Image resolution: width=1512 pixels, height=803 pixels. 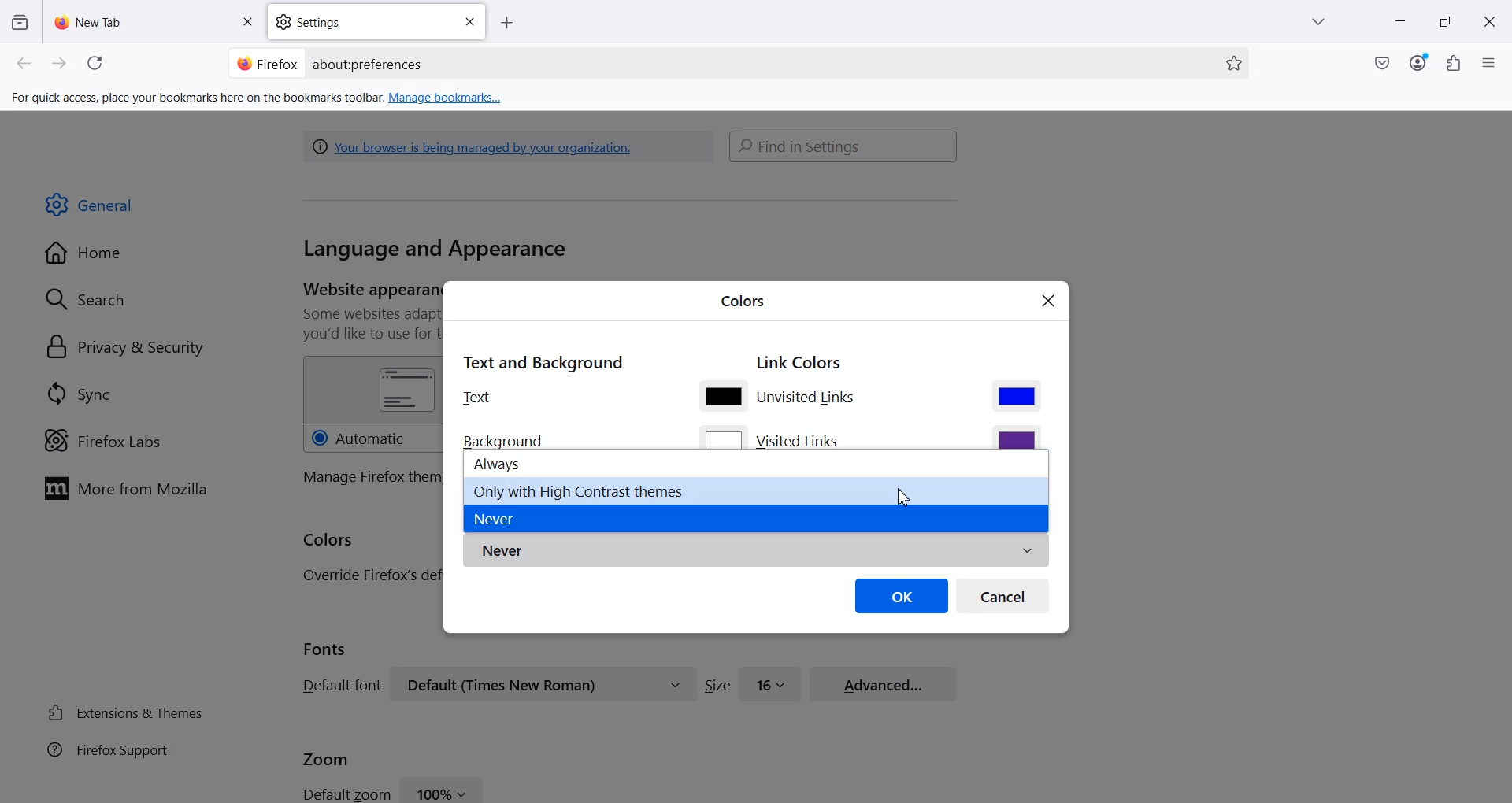 What do you see at coordinates (108, 749) in the screenshot?
I see `@ Firefox Support` at bounding box center [108, 749].